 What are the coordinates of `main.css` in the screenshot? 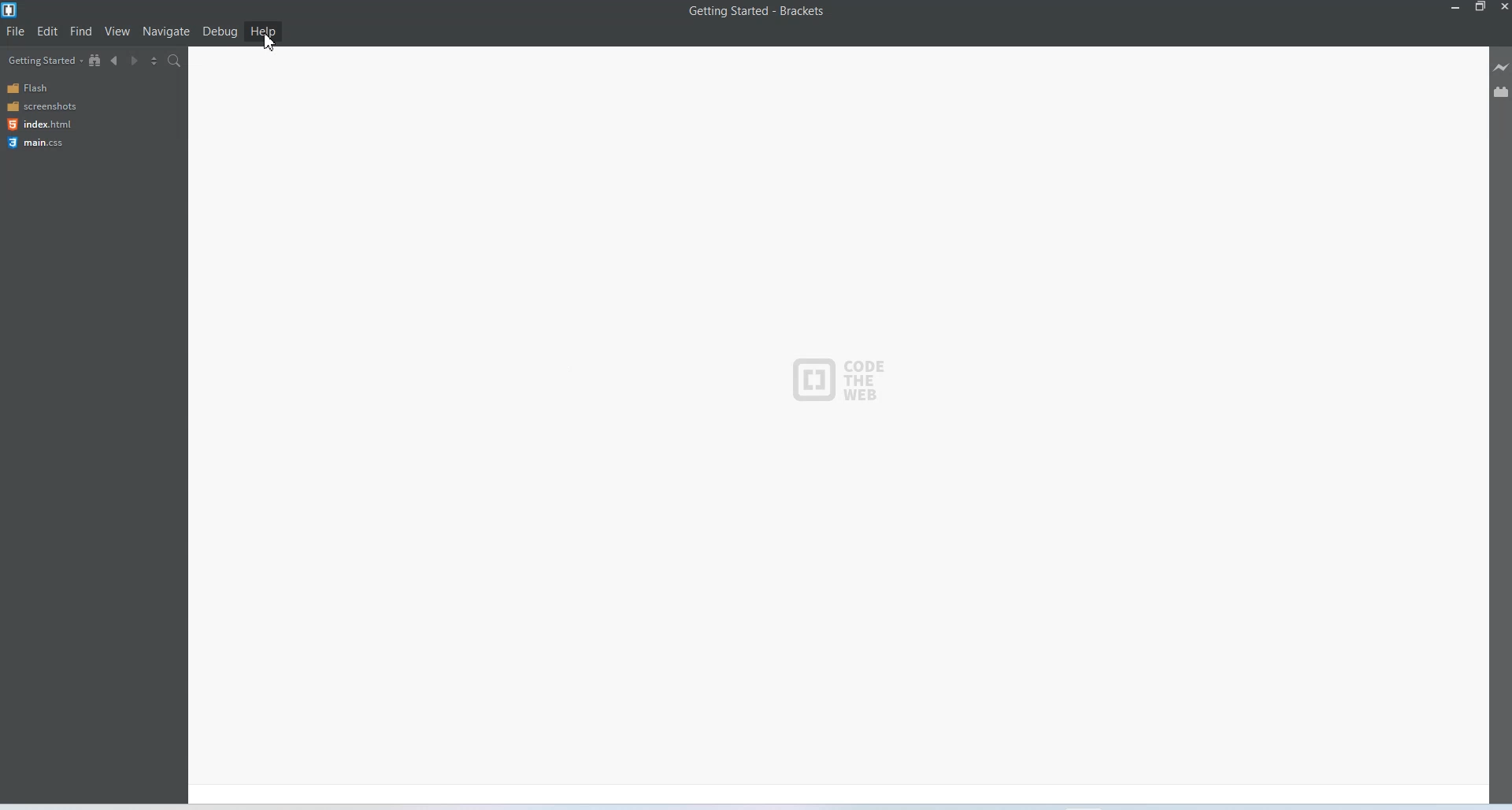 It's located at (40, 143).